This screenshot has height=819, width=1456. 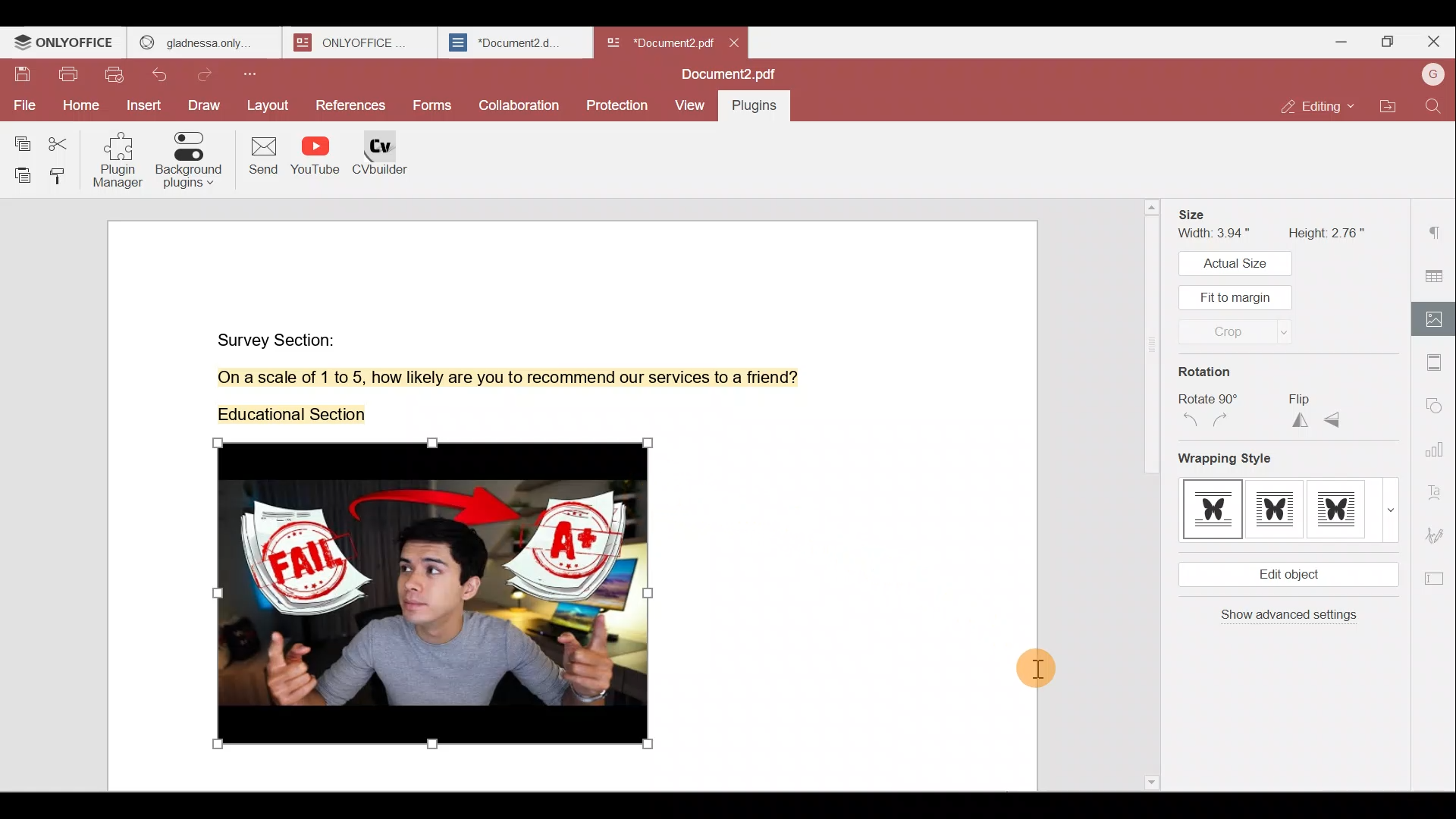 What do you see at coordinates (1244, 333) in the screenshot?
I see `Crop` at bounding box center [1244, 333].